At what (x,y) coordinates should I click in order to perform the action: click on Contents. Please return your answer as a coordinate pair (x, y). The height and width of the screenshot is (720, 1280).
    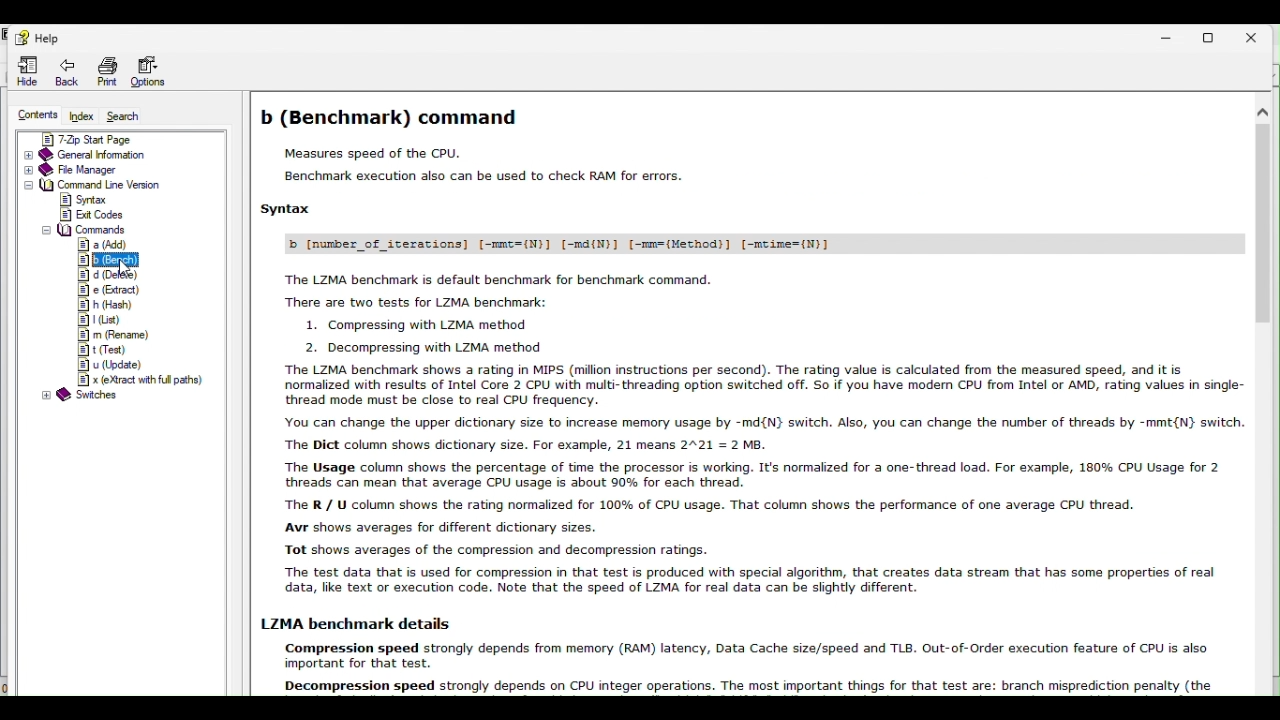
    Looking at the image, I should click on (38, 116).